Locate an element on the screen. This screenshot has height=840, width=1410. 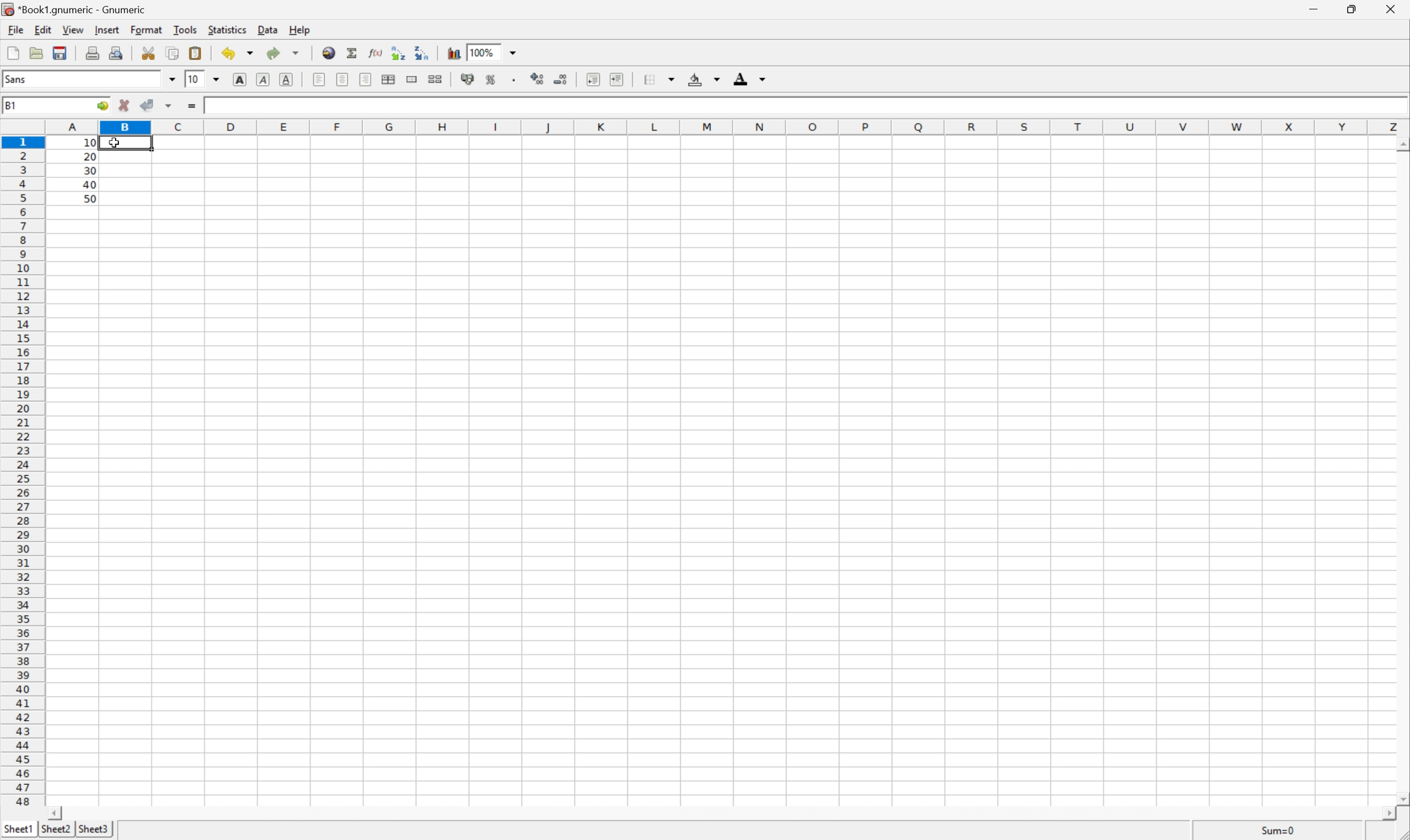
Decrease the number of decimals displayed is located at coordinates (559, 77).